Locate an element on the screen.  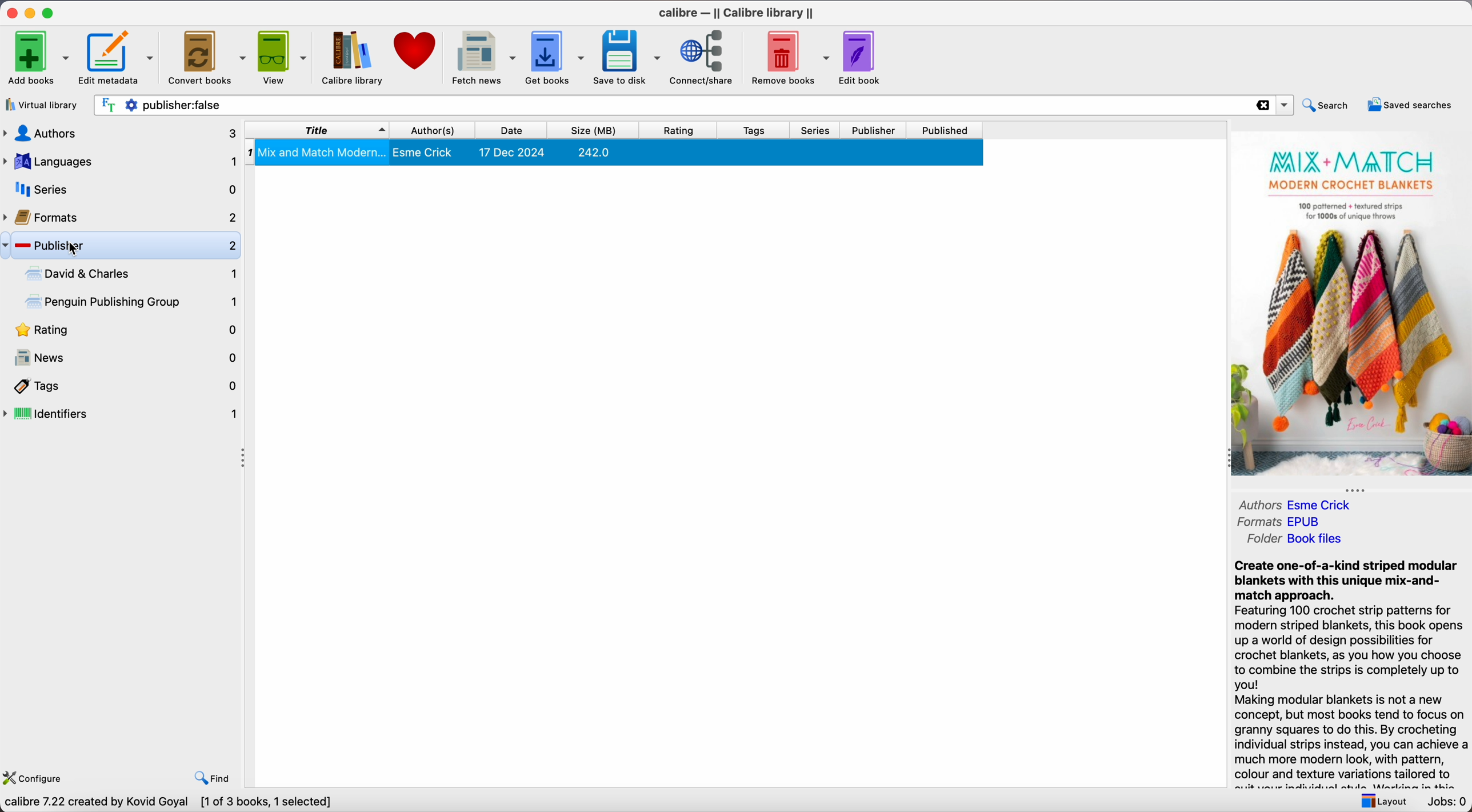
connect/share is located at coordinates (705, 58).